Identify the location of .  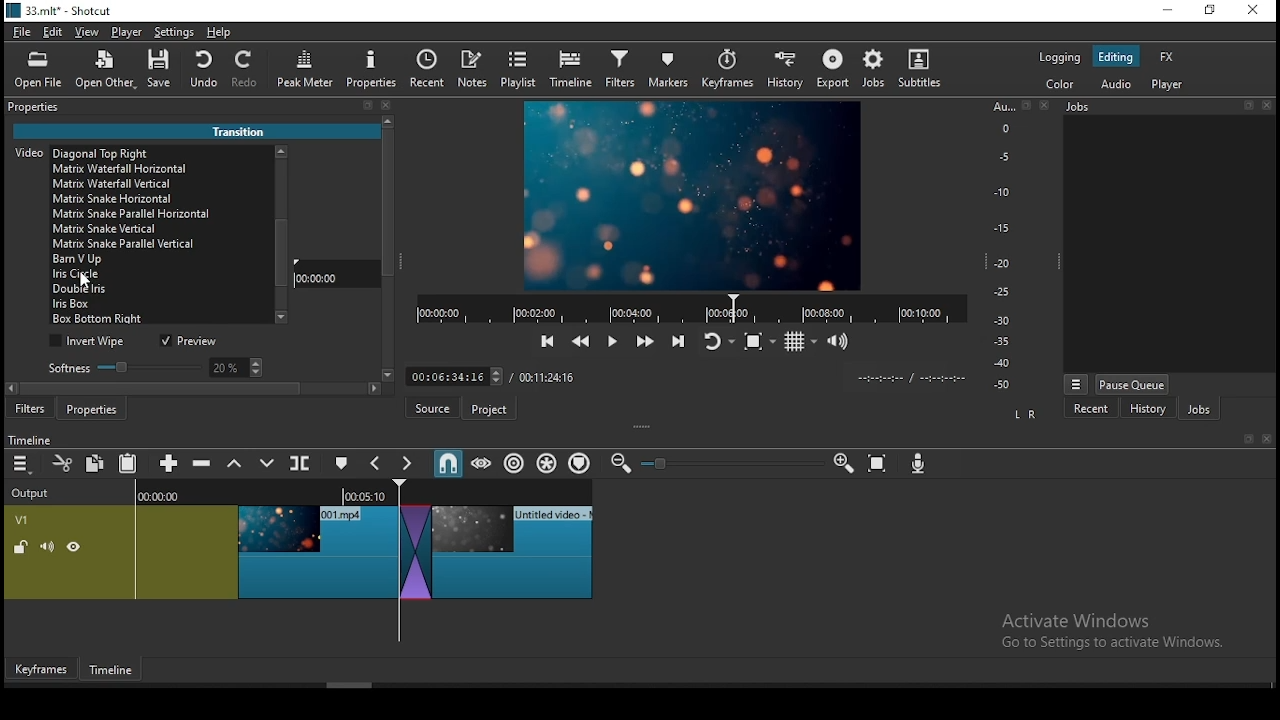
(662, 464).